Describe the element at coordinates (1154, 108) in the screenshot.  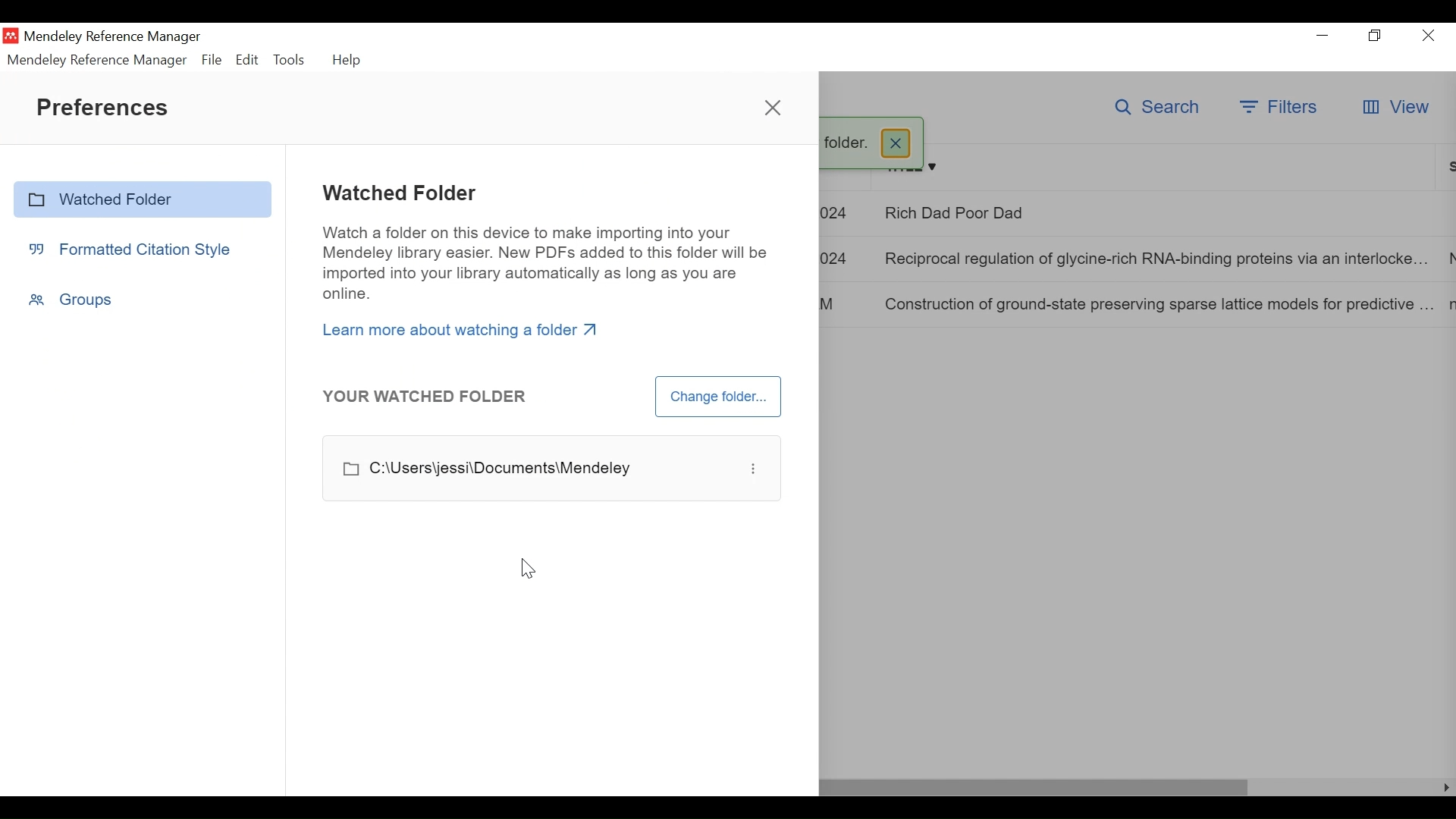
I see `Search` at that location.